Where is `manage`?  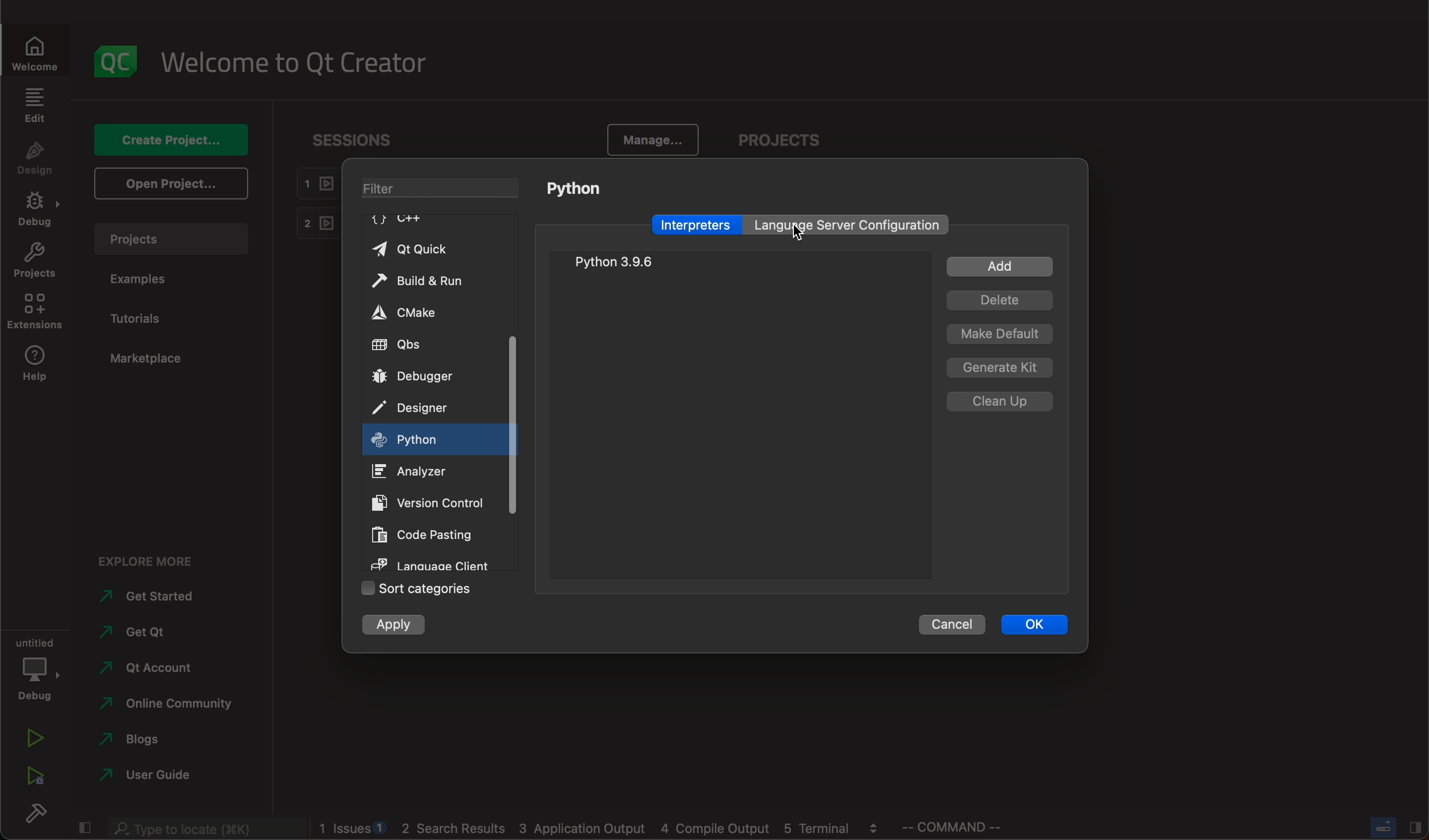 manage is located at coordinates (653, 139).